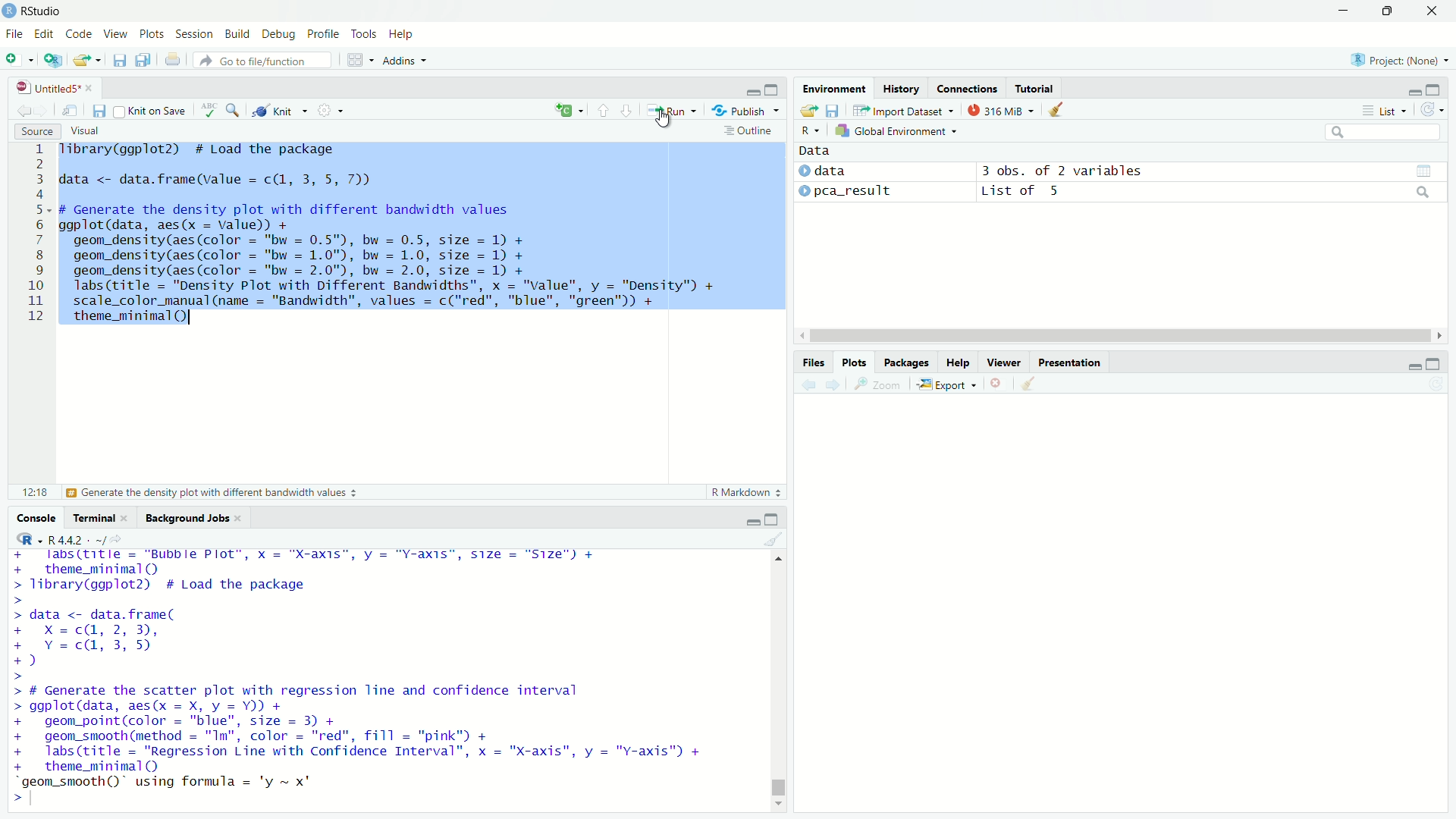 The height and width of the screenshot is (819, 1456). I want to click on restore, so click(1388, 11).